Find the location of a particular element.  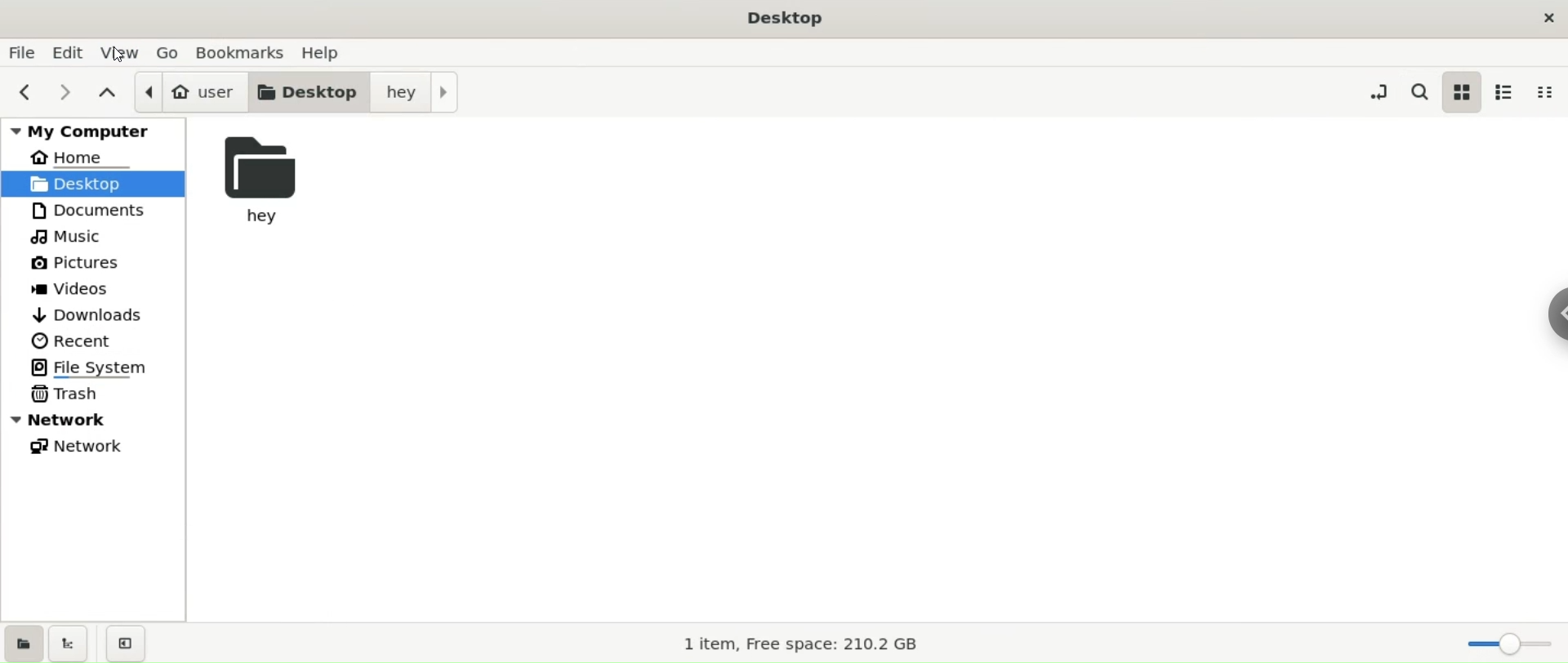

compact view is located at coordinates (1544, 92).